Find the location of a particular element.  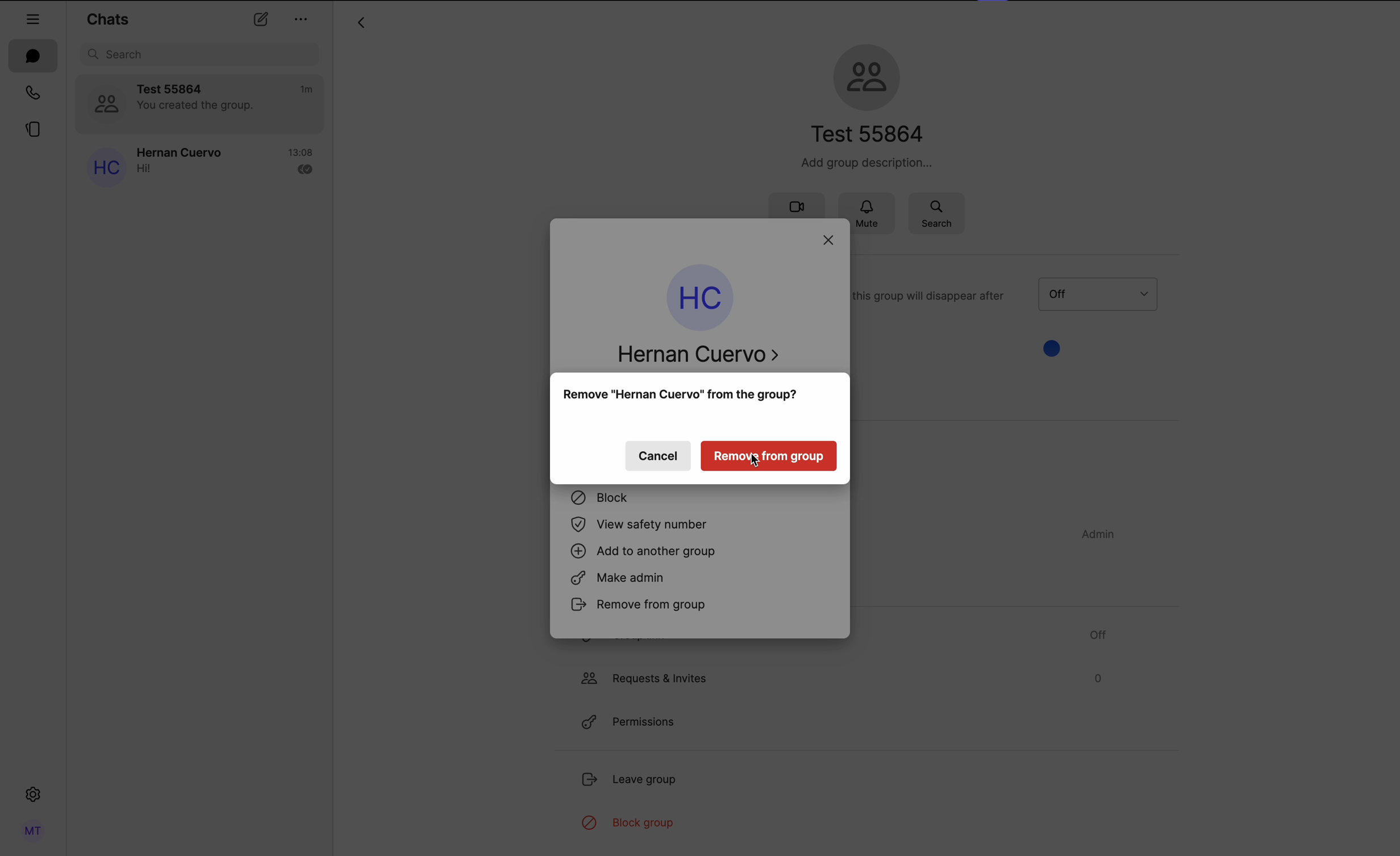

calls is located at coordinates (30, 94).